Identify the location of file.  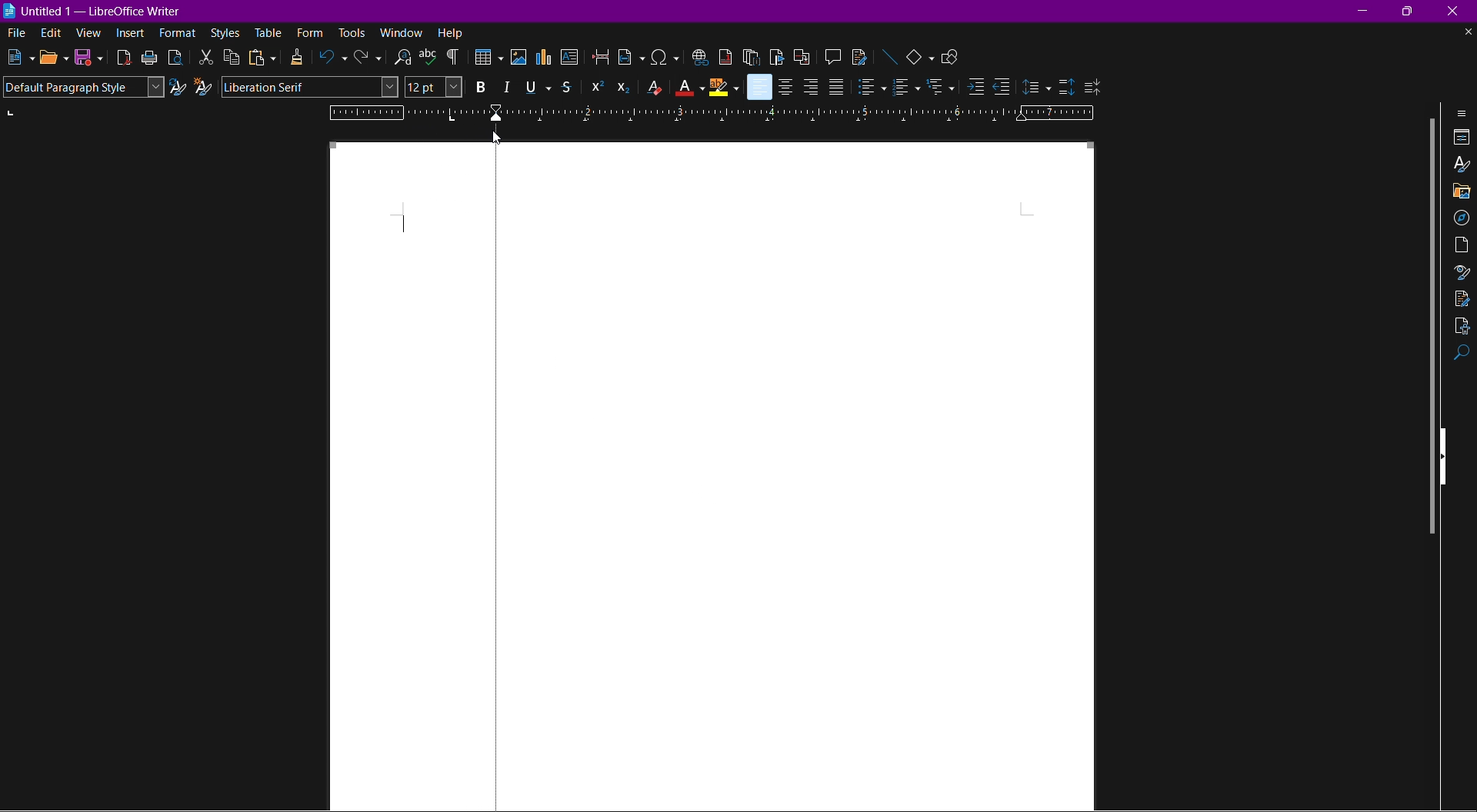
(13, 32).